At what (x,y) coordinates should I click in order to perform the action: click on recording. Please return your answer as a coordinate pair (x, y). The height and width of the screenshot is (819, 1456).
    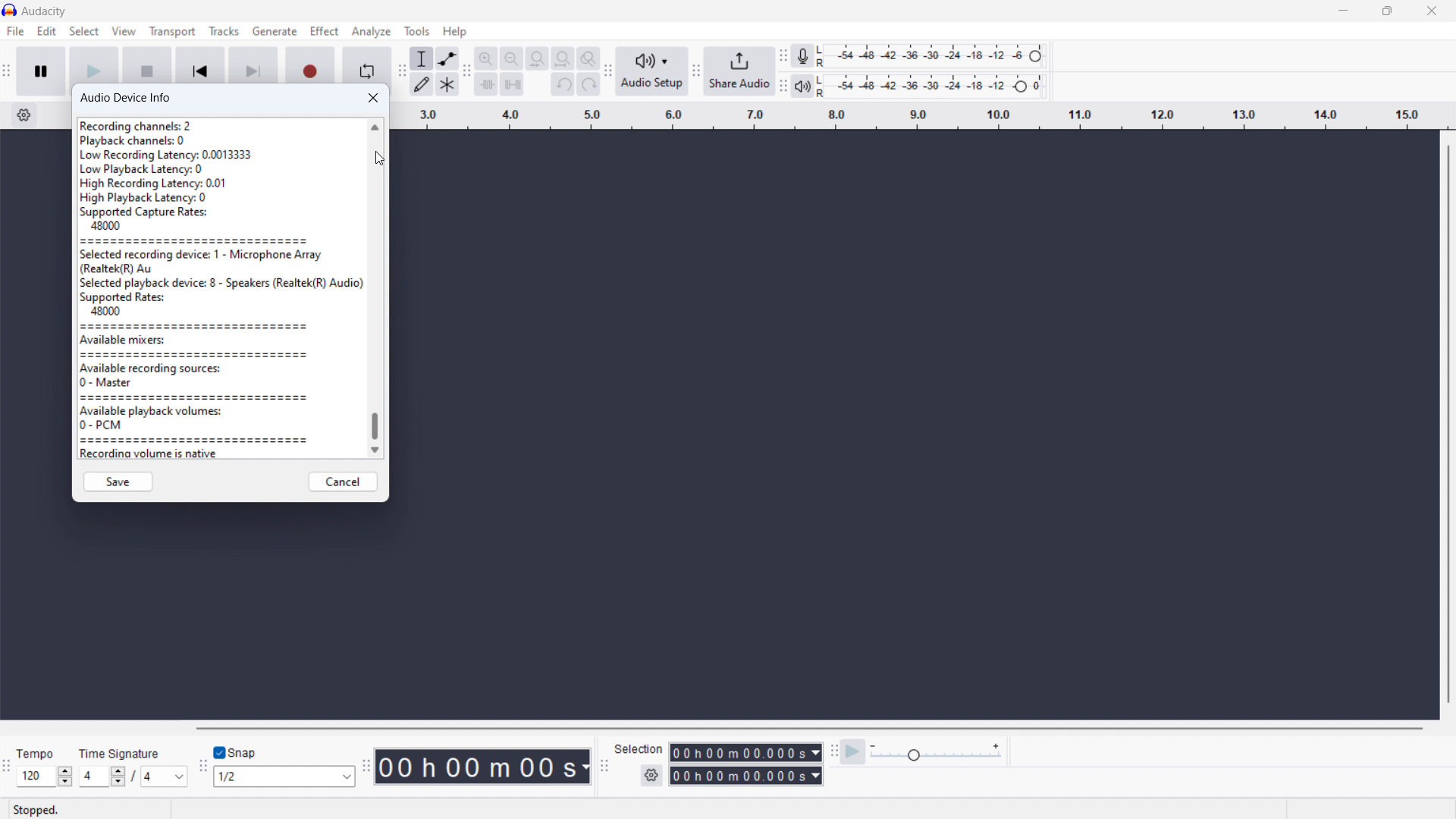
    Looking at the image, I should click on (310, 65).